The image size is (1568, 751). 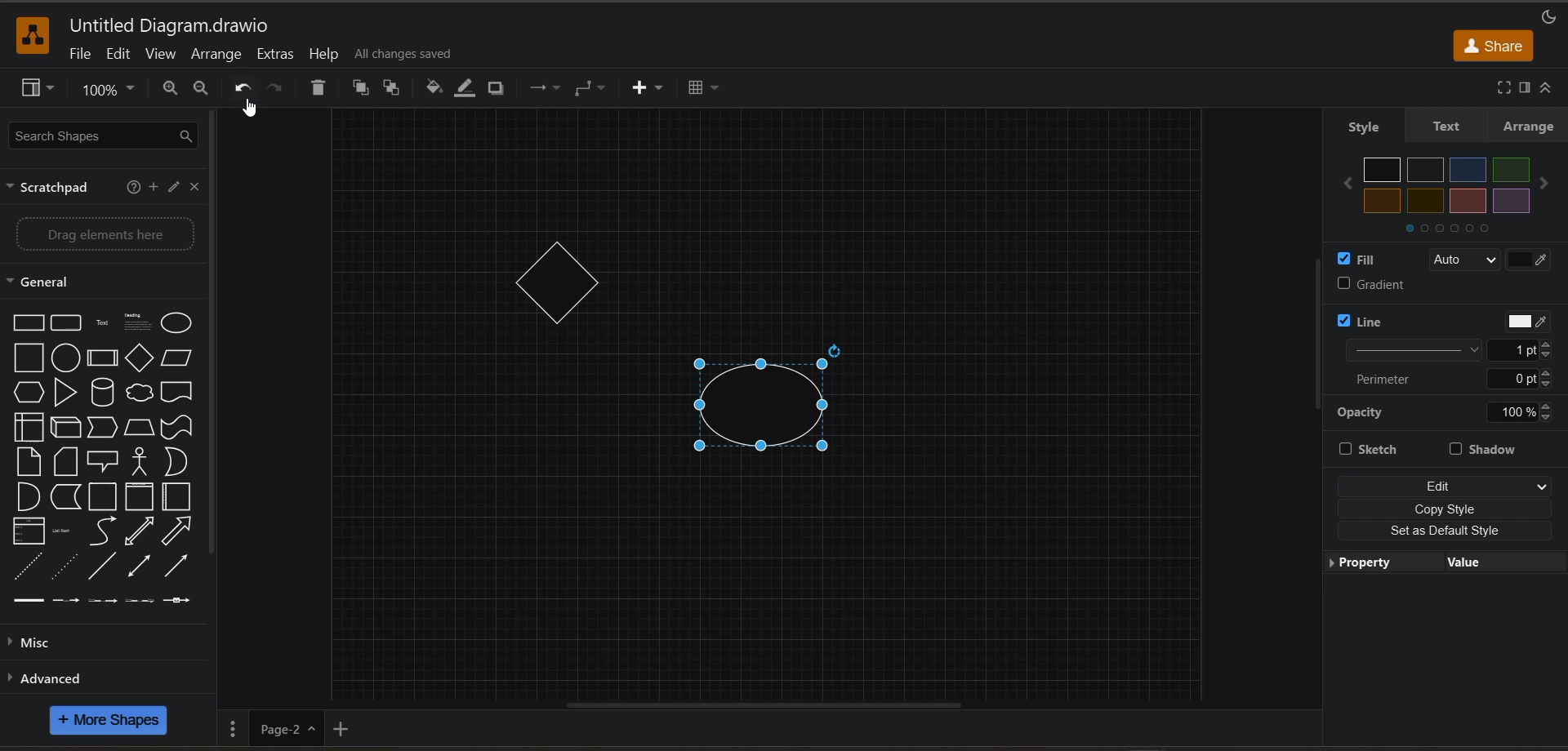 What do you see at coordinates (192, 189) in the screenshot?
I see `close` at bounding box center [192, 189].